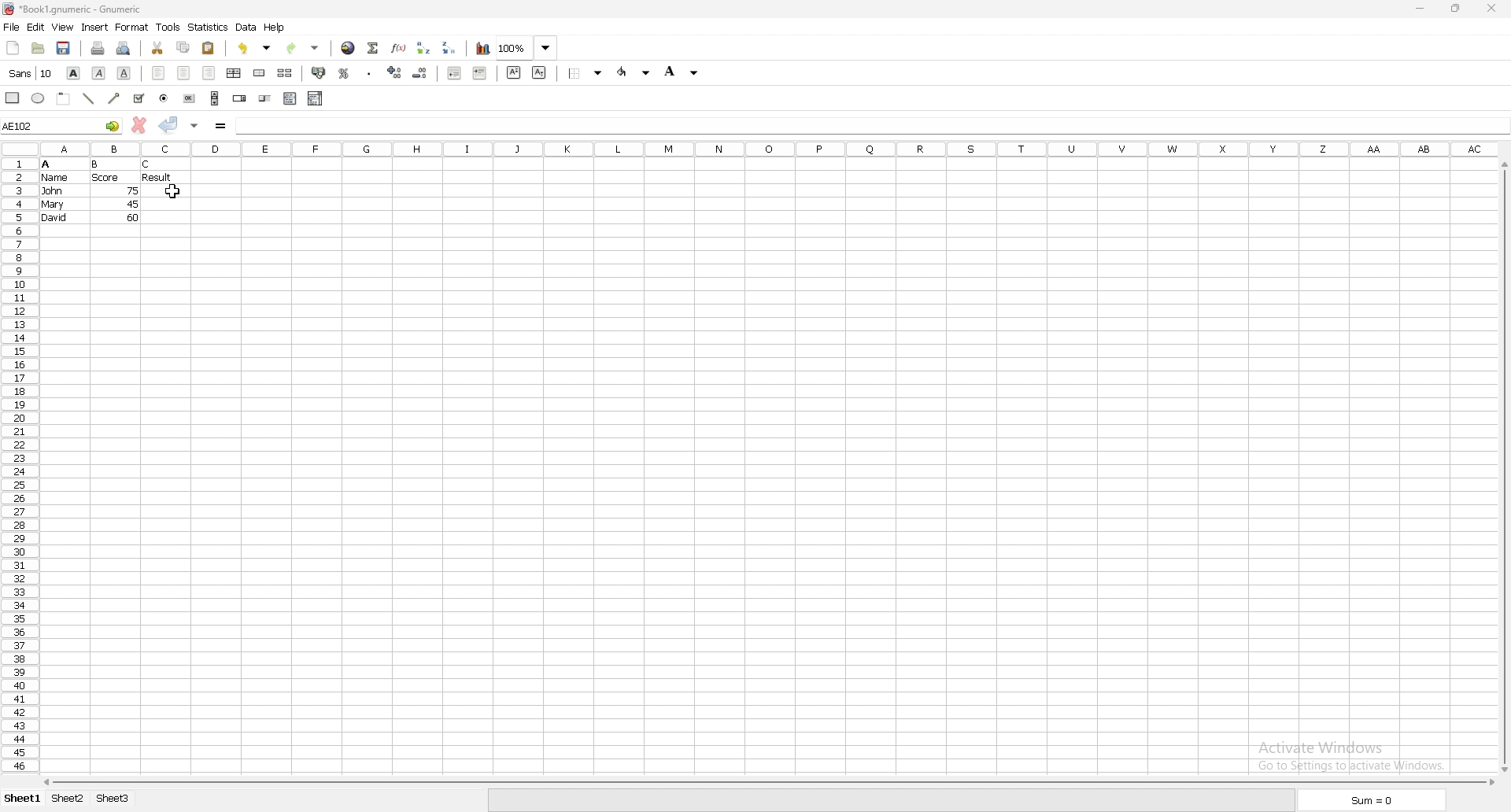 The height and width of the screenshot is (812, 1511). I want to click on checkbox, so click(139, 98).